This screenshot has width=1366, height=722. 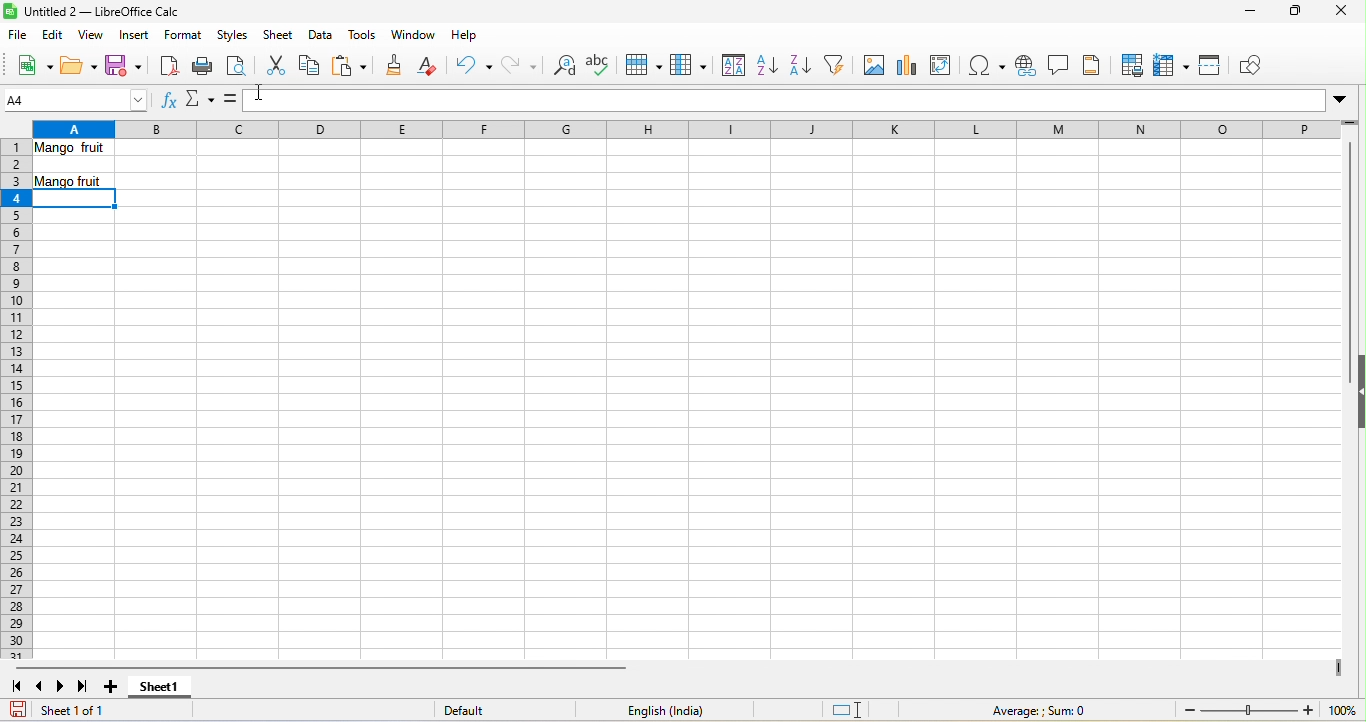 What do you see at coordinates (873, 67) in the screenshot?
I see `image` at bounding box center [873, 67].